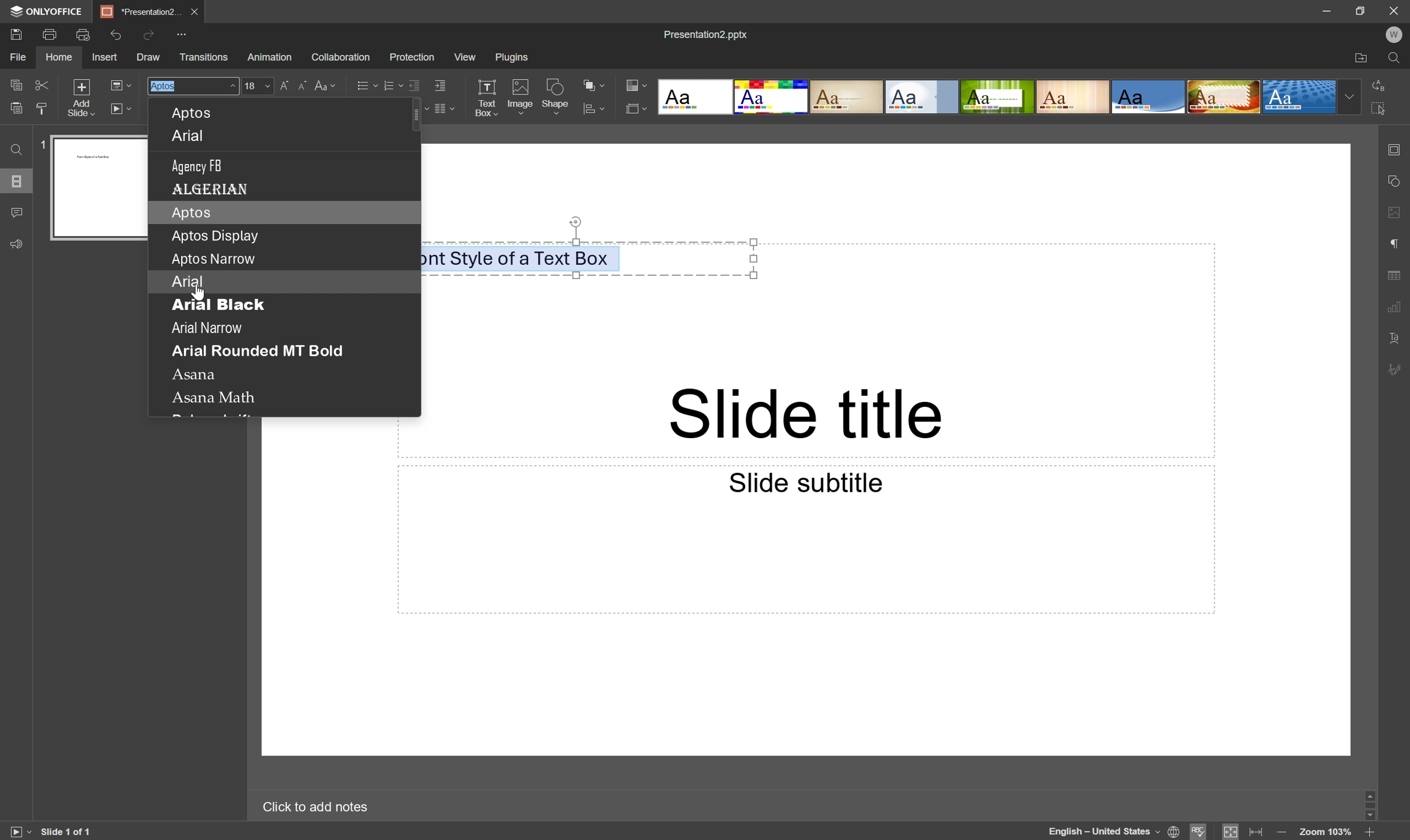  Describe the element at coordinates (186, 36) in the screenshot. I see `Customize Quick Access Toolbar` at that location.